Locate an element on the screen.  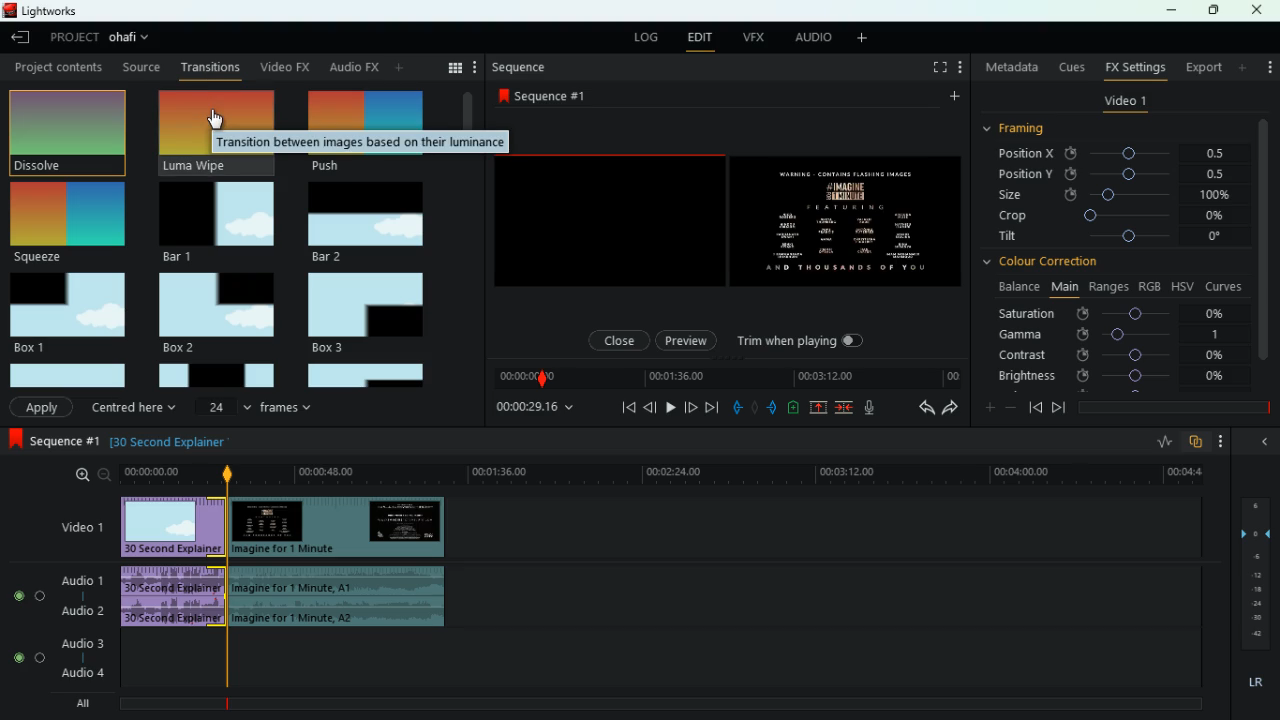
tooltip is located at coordinates (361, 139).